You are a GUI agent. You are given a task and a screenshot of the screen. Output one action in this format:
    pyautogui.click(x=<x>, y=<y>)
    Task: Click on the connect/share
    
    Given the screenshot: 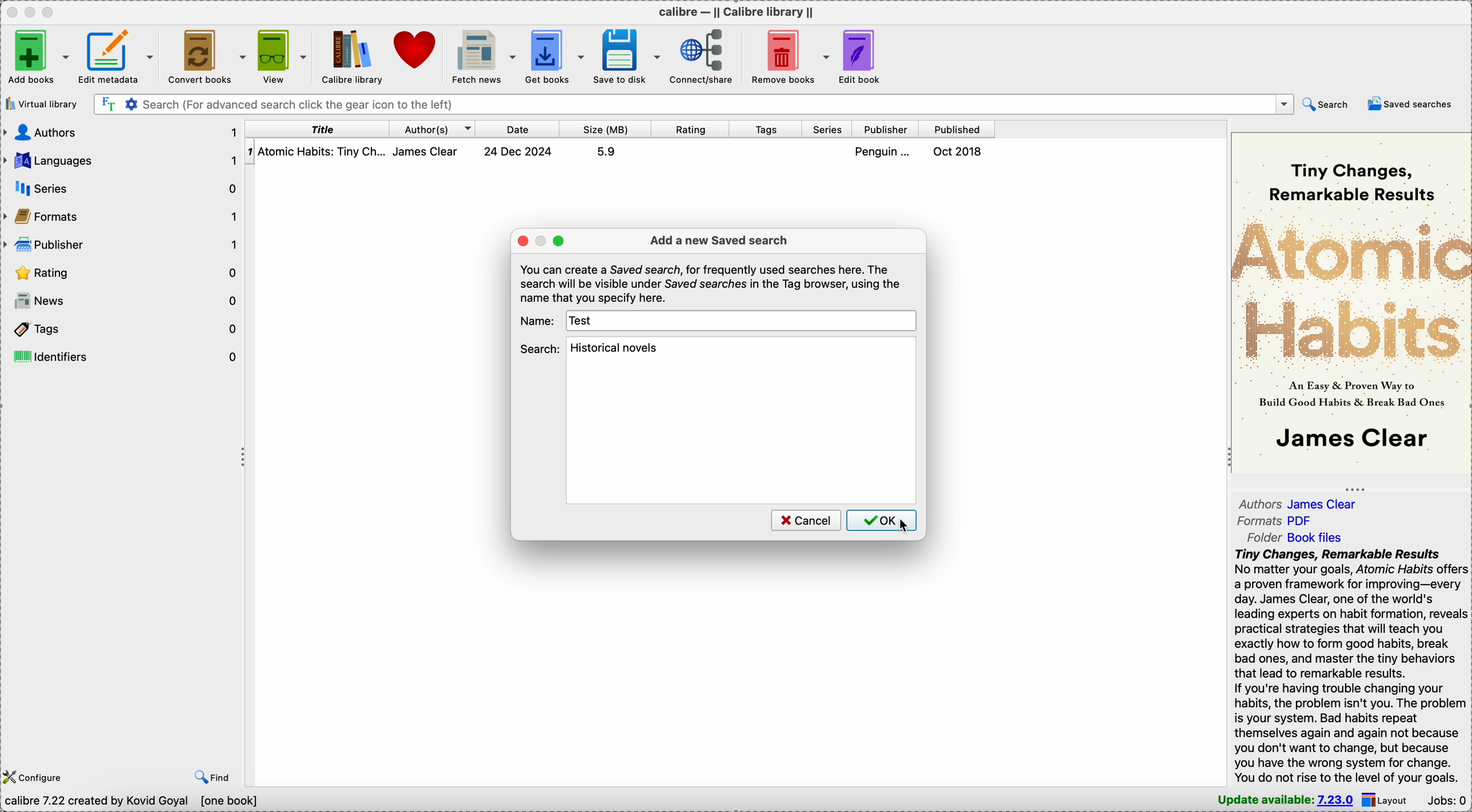 What is the action you would take?
    pyautogui.click(x=706, y=55)
    